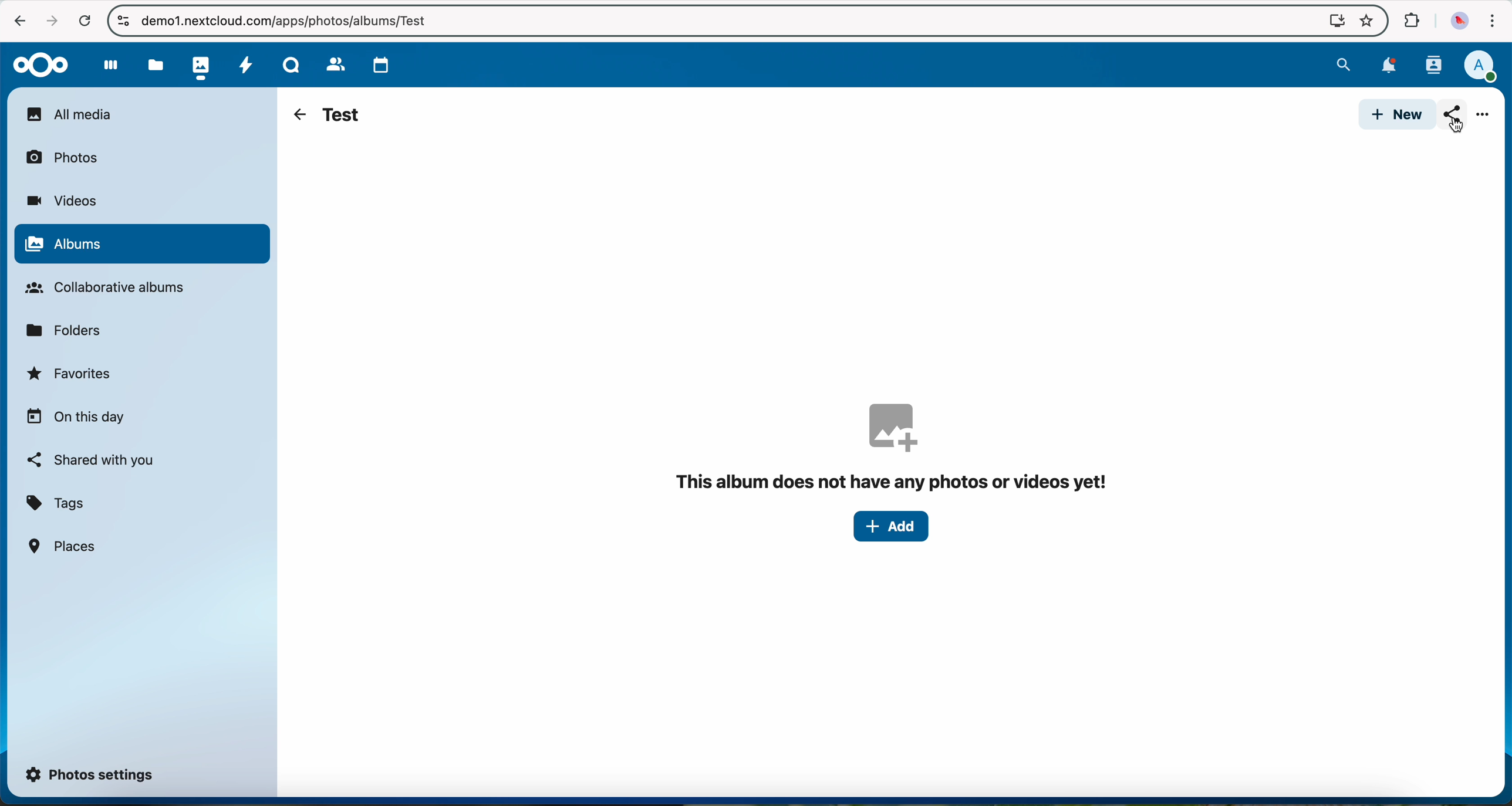  What do you see at coordinates (123, 20) in the screenshot?
I see `controls` at bounding box center [123, 20].